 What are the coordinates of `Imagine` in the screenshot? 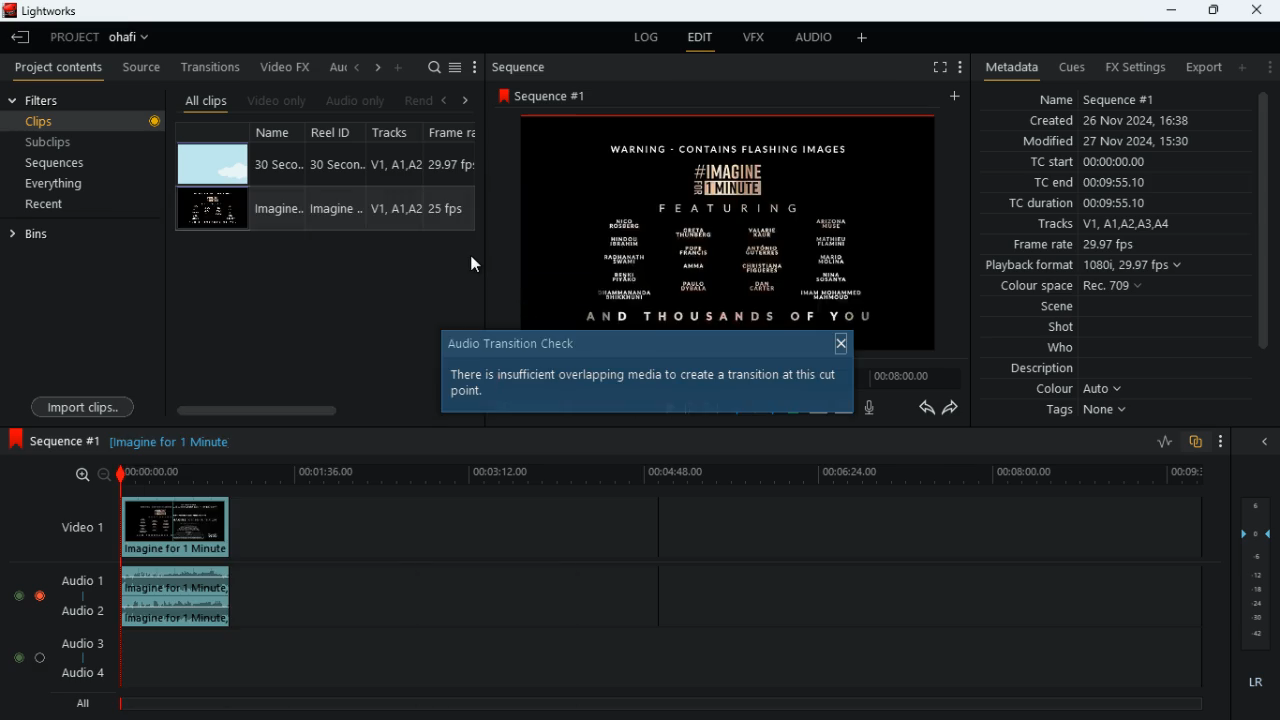 It's located at (282, 208).